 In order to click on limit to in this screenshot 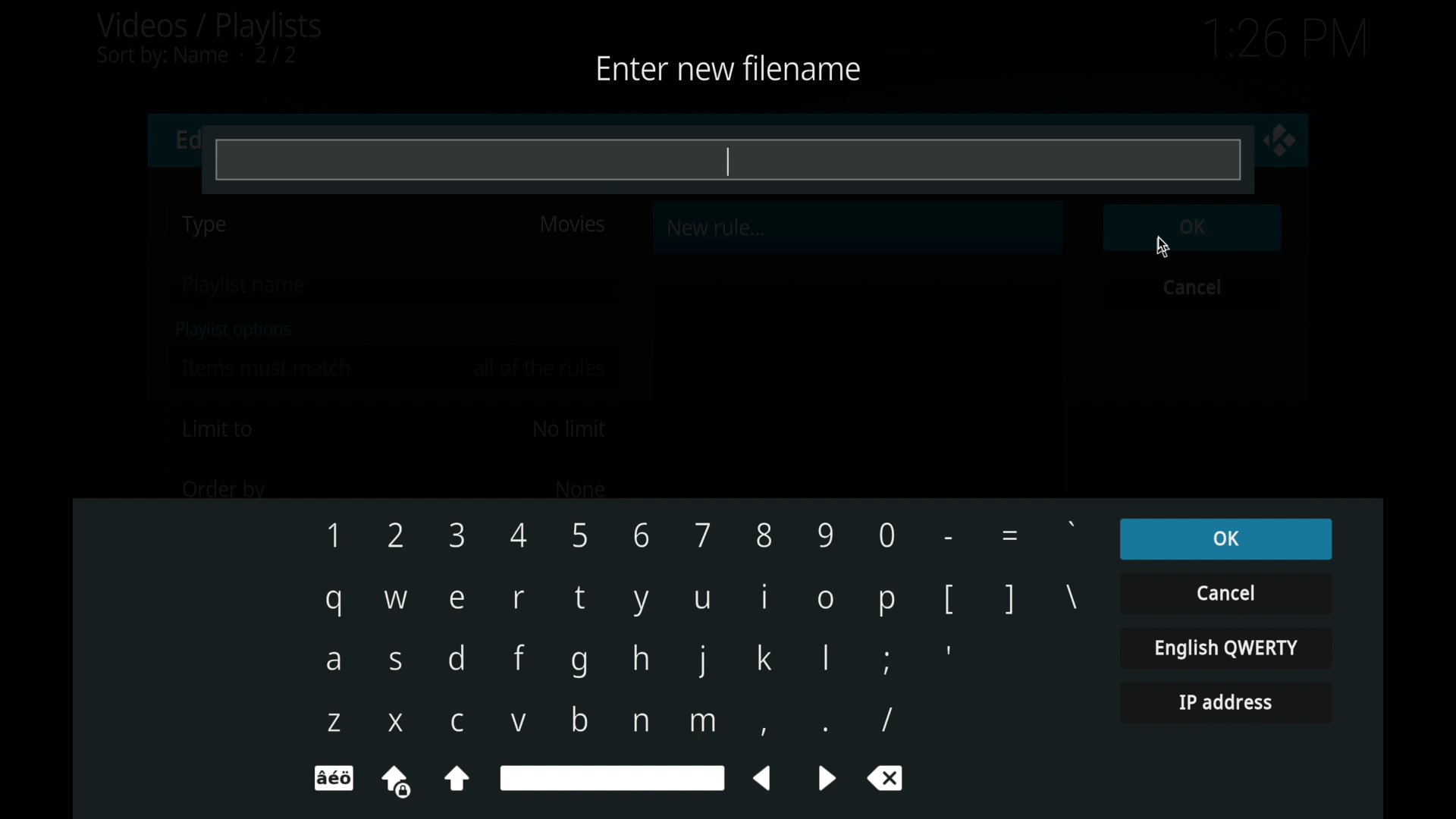, I will do `click(218, 429)`.